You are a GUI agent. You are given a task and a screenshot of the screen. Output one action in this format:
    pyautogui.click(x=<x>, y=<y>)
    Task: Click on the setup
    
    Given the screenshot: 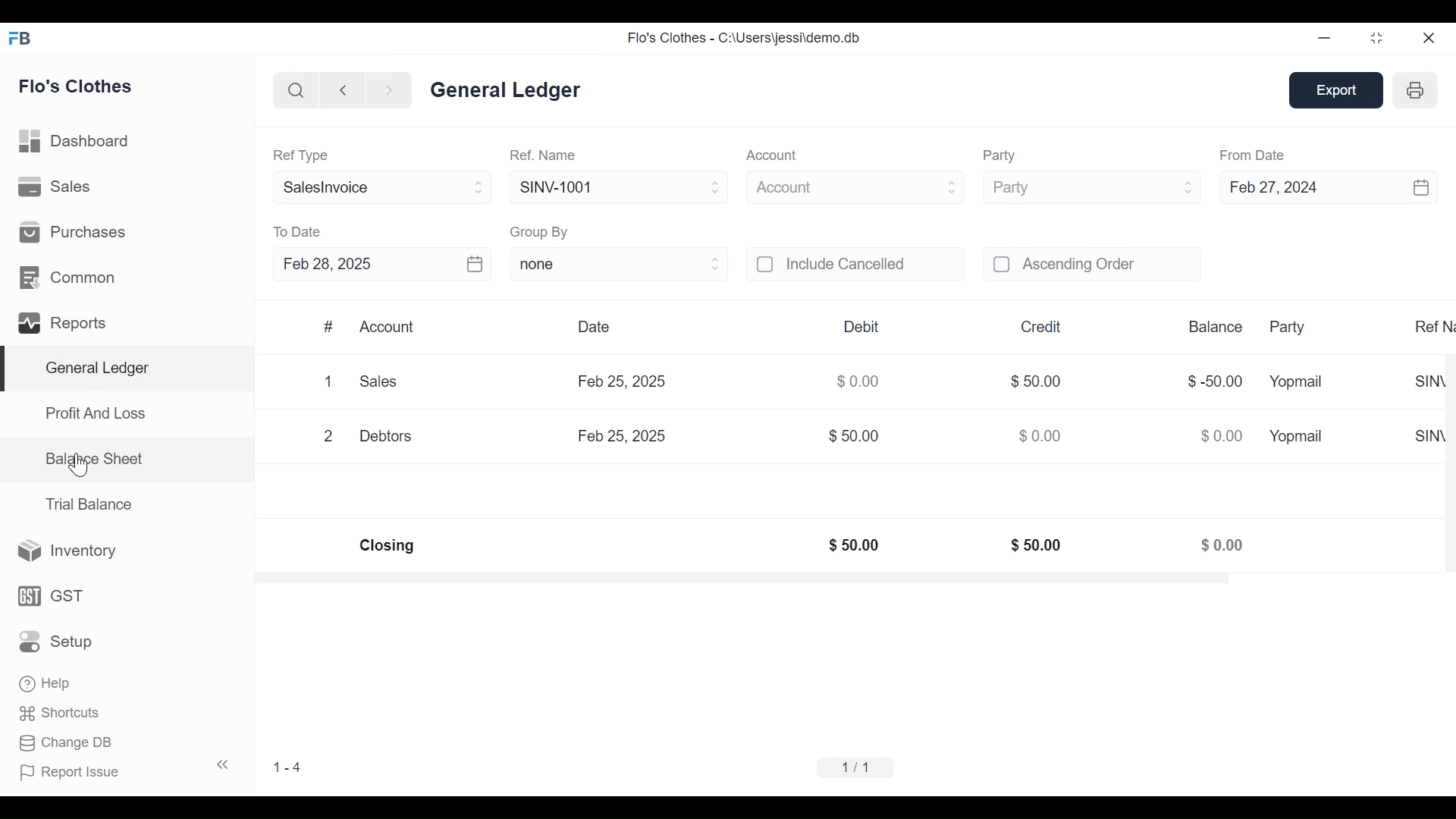 What is the action you would take?
    pyautogui.click(x=58, y=642)
    